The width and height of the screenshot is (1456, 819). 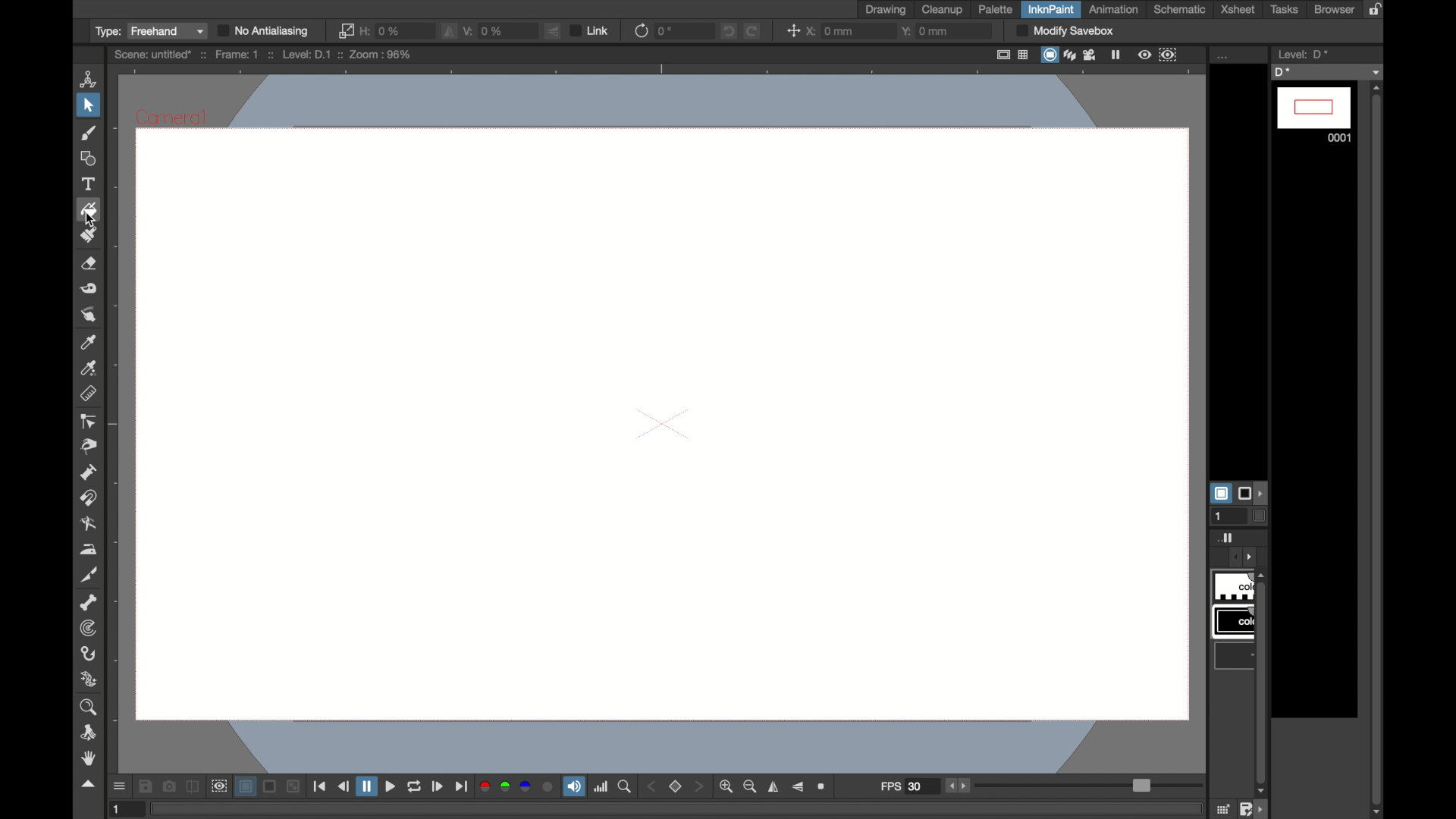 What do you see at coordinates (831, 31) in the screenshot?
I see `x` at bounding box center [831, 31].